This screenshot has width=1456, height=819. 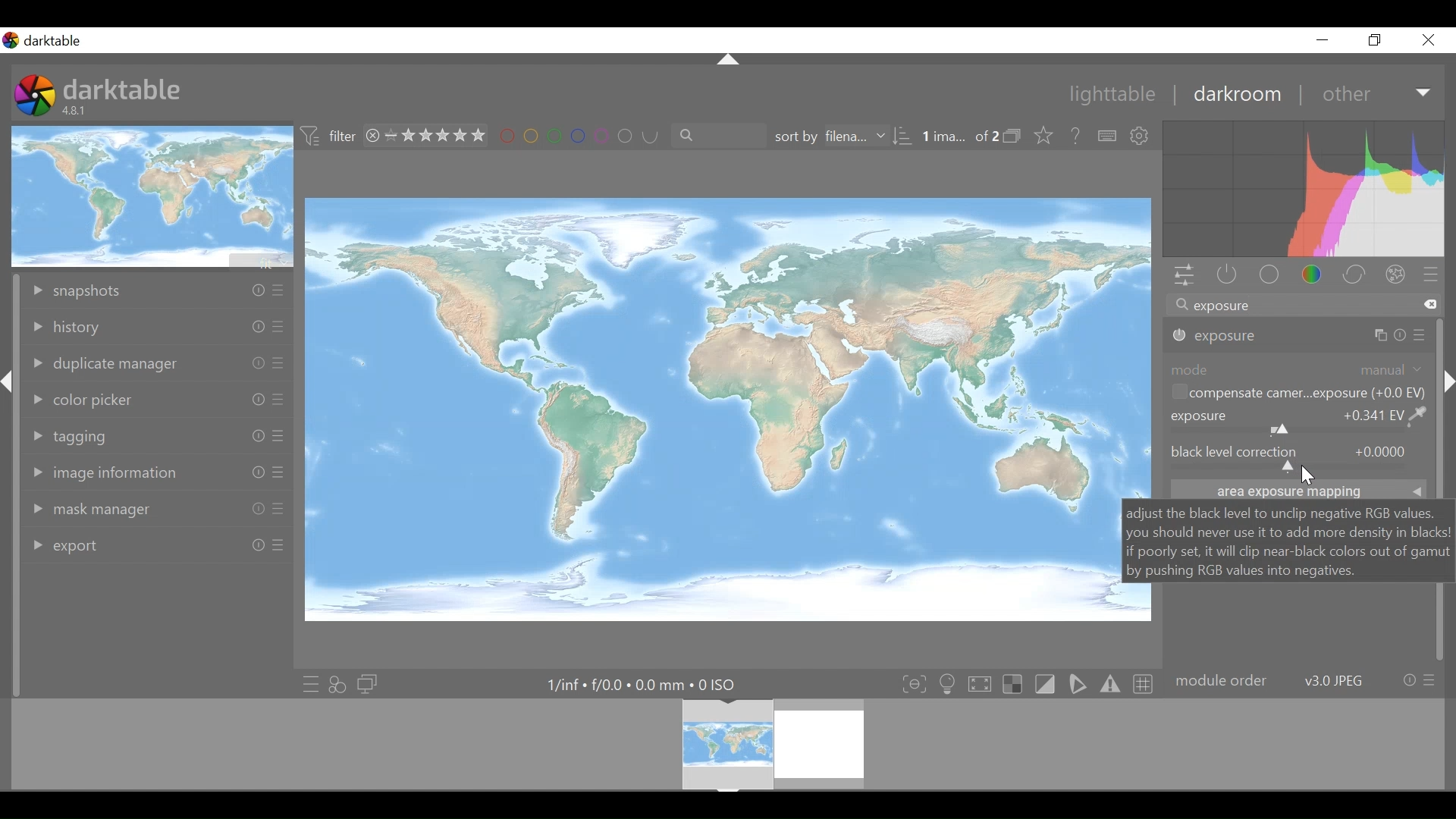 What do you see at coordinates (1299, 420) in the screenshot?
I see `exposure correction` at bounding box center [1299, 420].